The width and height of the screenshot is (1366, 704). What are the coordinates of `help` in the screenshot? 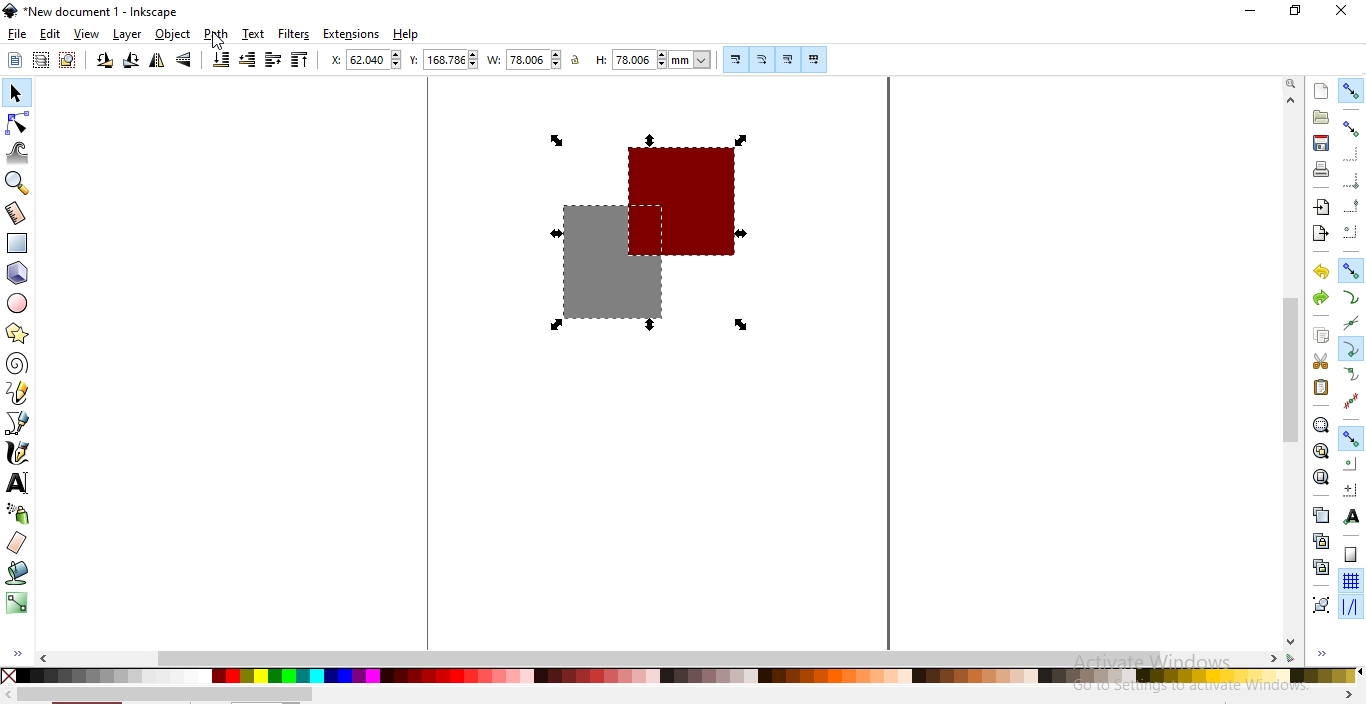 It's located at (406, 35).